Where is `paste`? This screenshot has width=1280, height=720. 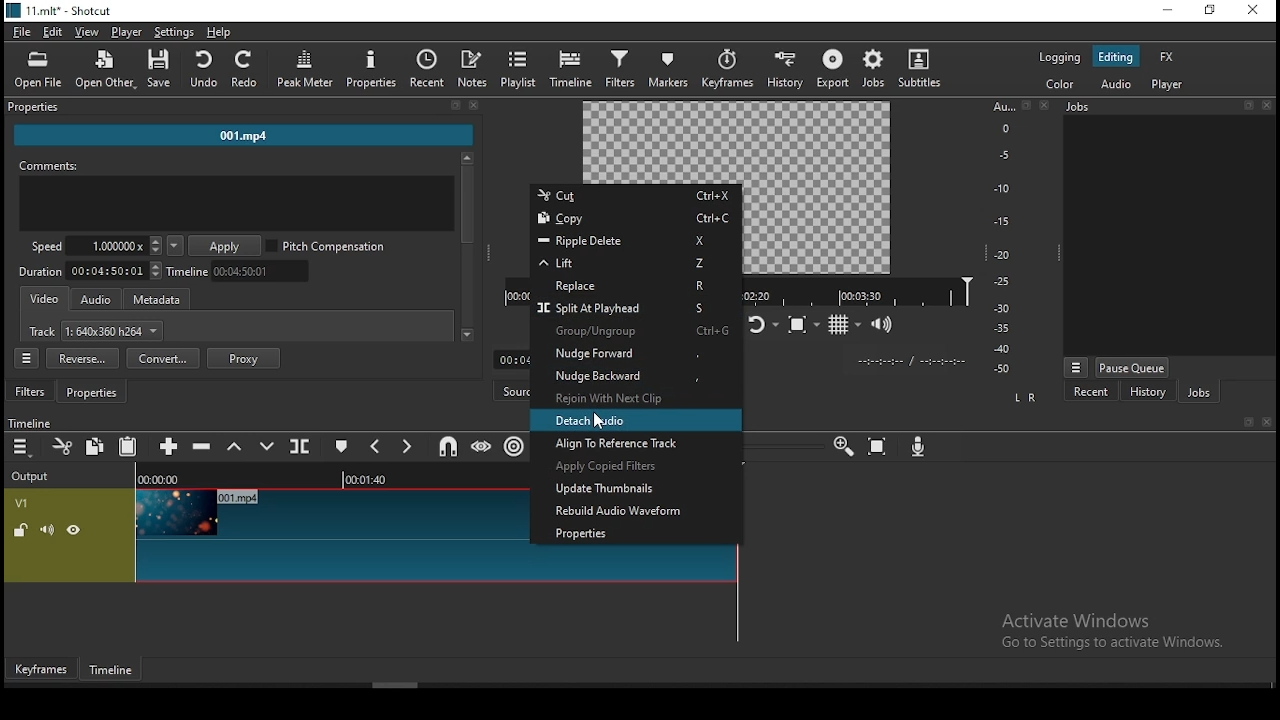 paste is located at coordinates (127, 447).